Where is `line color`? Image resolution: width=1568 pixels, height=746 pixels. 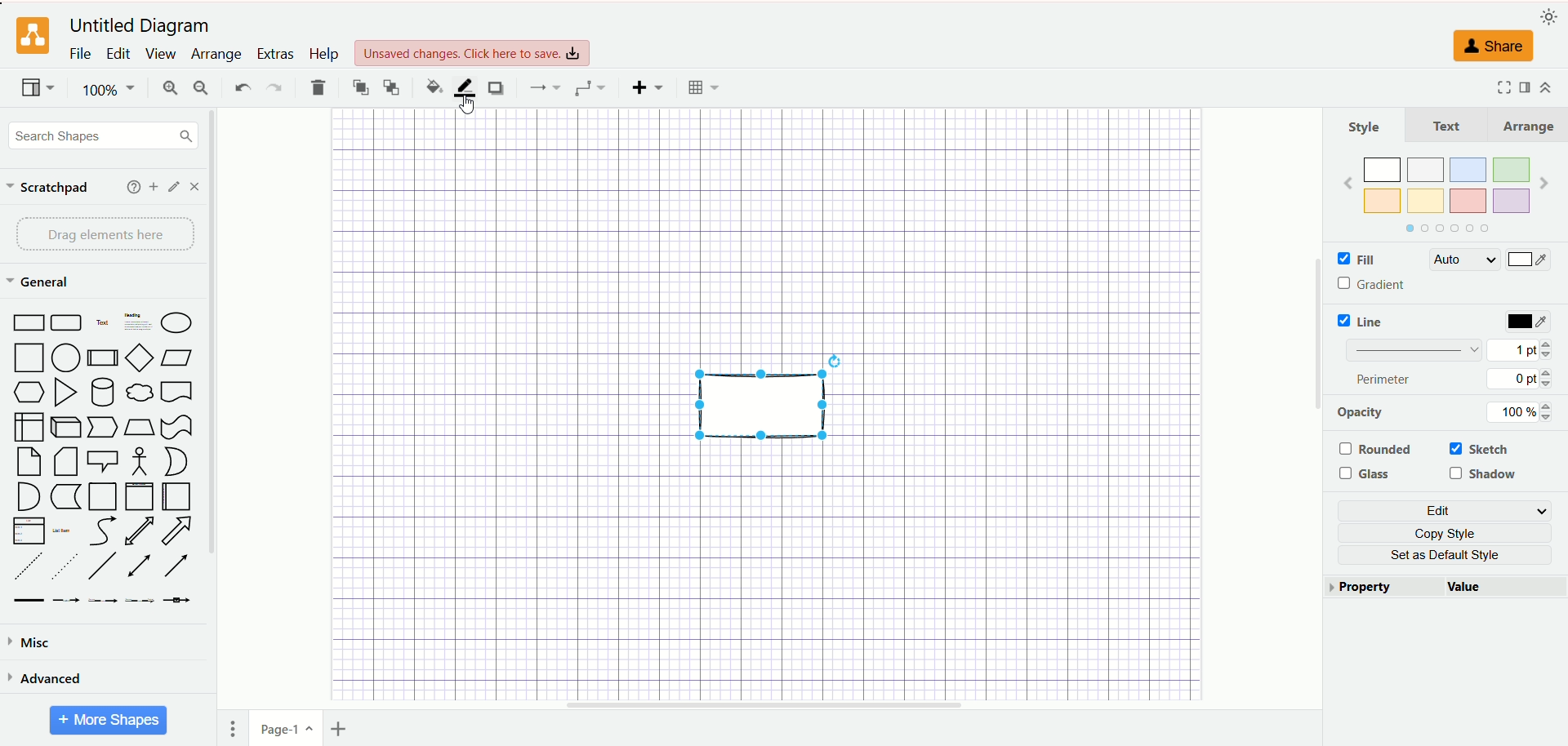 line color is located at coordinates (464, 88).